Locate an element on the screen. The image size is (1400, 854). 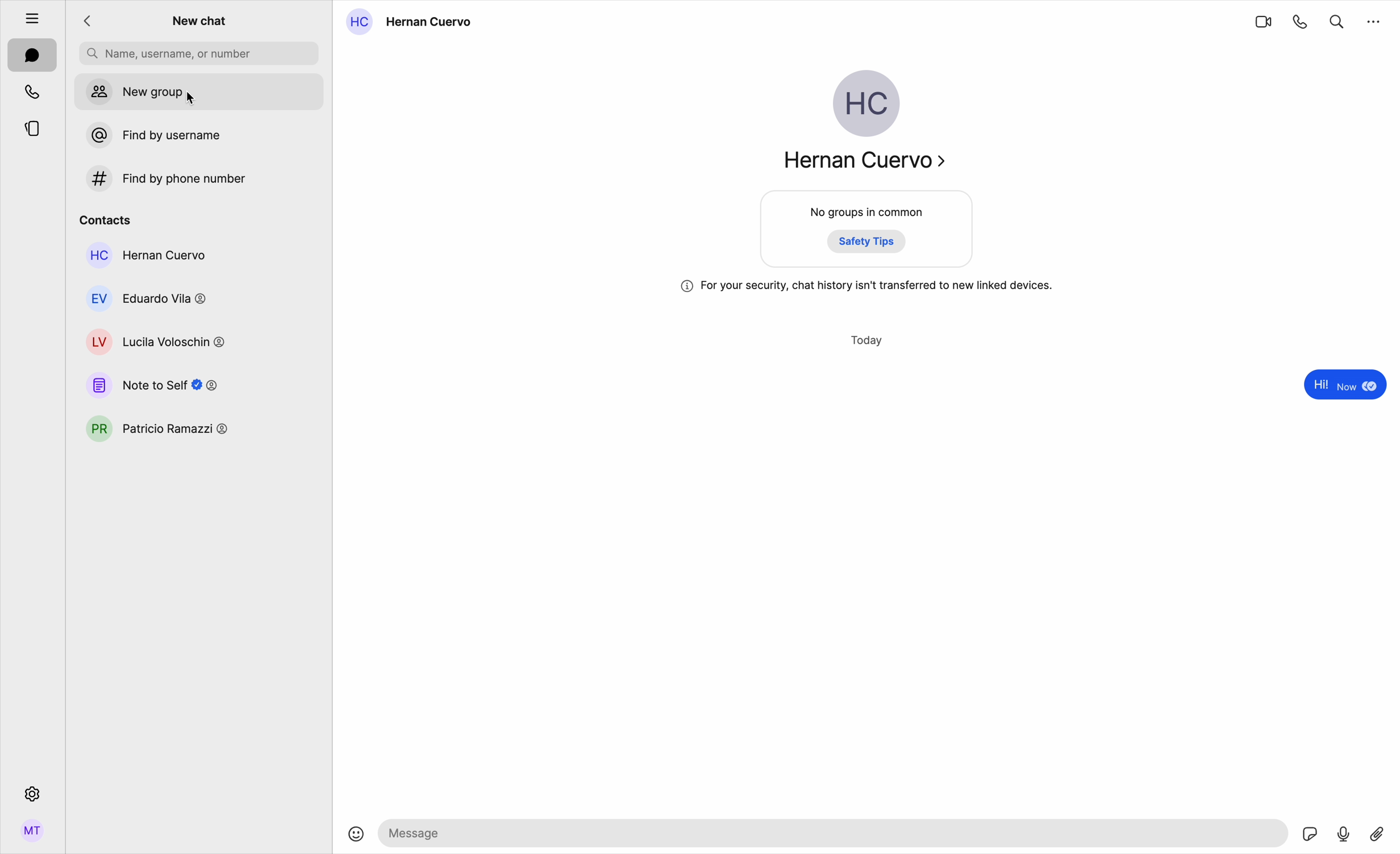
safety message is located at coordinates (867, 286).